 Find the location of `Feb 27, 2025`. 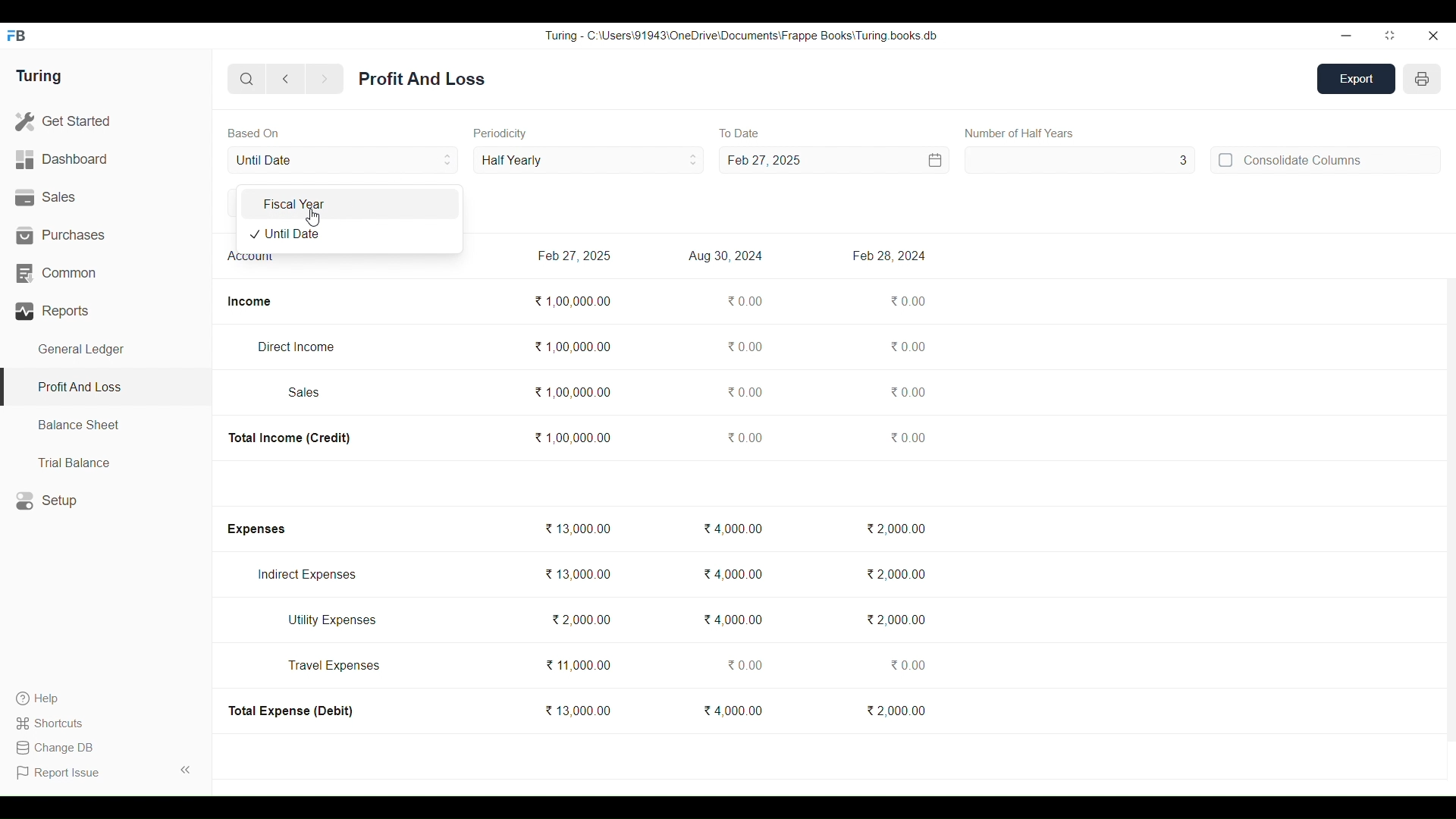

Feb 27, 2025 is located at coordinates (764, 160).